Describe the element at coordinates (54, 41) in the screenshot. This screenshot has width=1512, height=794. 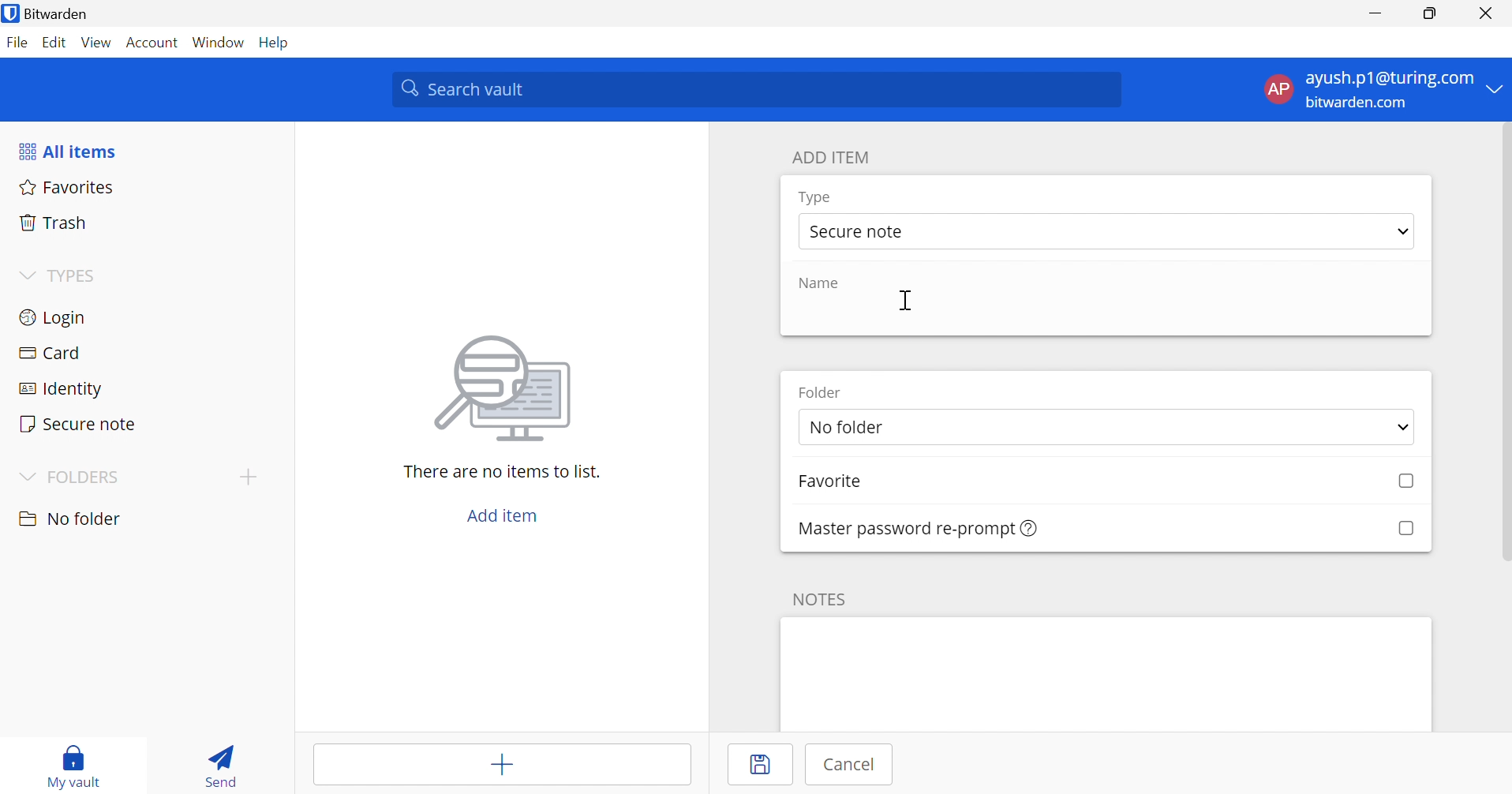
I see `Edit` at that location.